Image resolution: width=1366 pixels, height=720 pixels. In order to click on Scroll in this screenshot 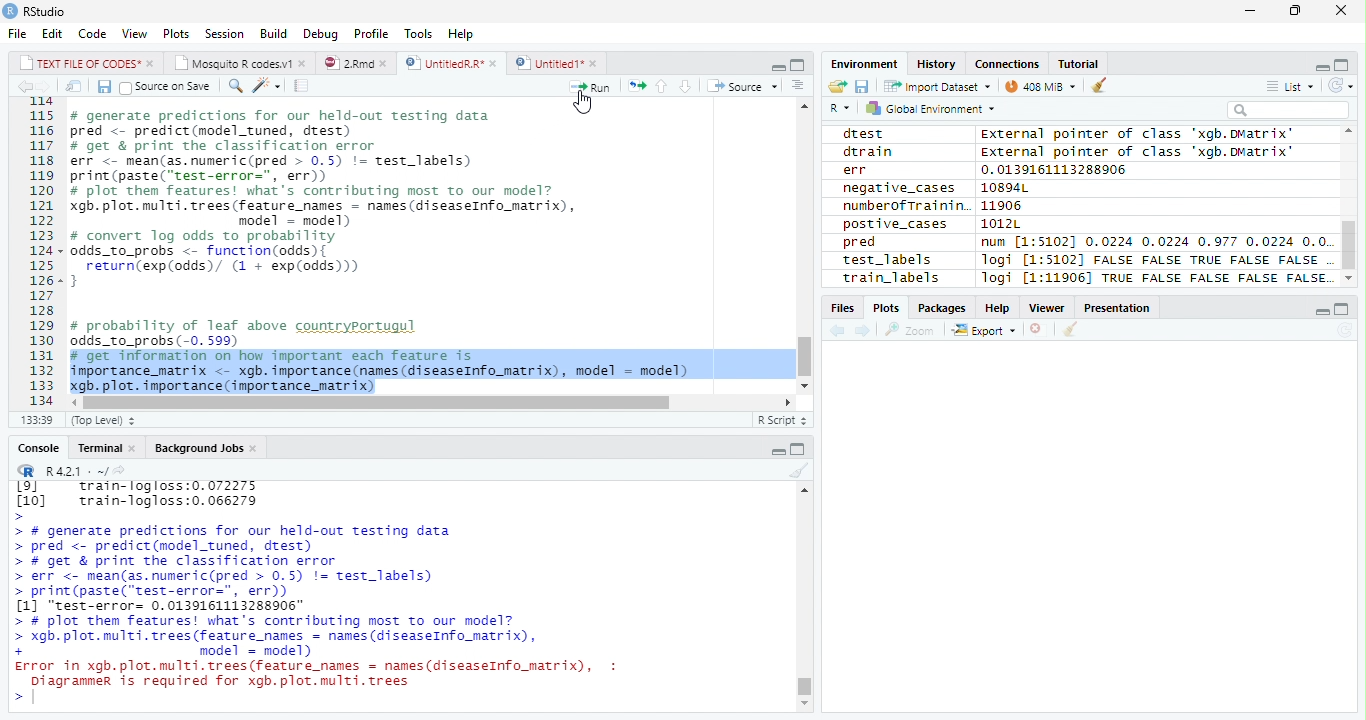, I will do `click(1349, 207)`.